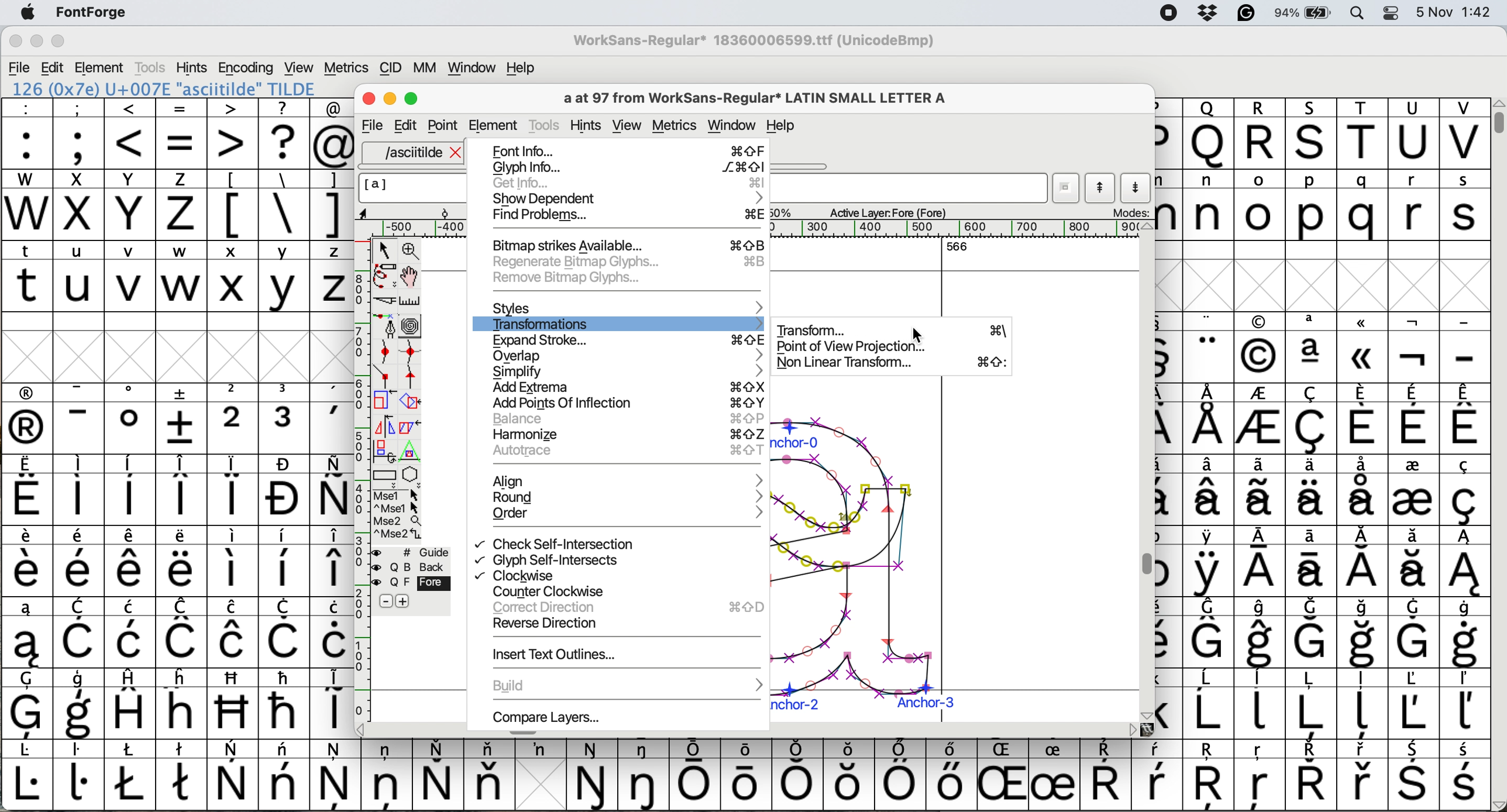 The height and width of the screenshot is (812, 1507). What do you see at coordinates (181, 277) in the screenshot?
I see `w` at bounding box center [181, 277].